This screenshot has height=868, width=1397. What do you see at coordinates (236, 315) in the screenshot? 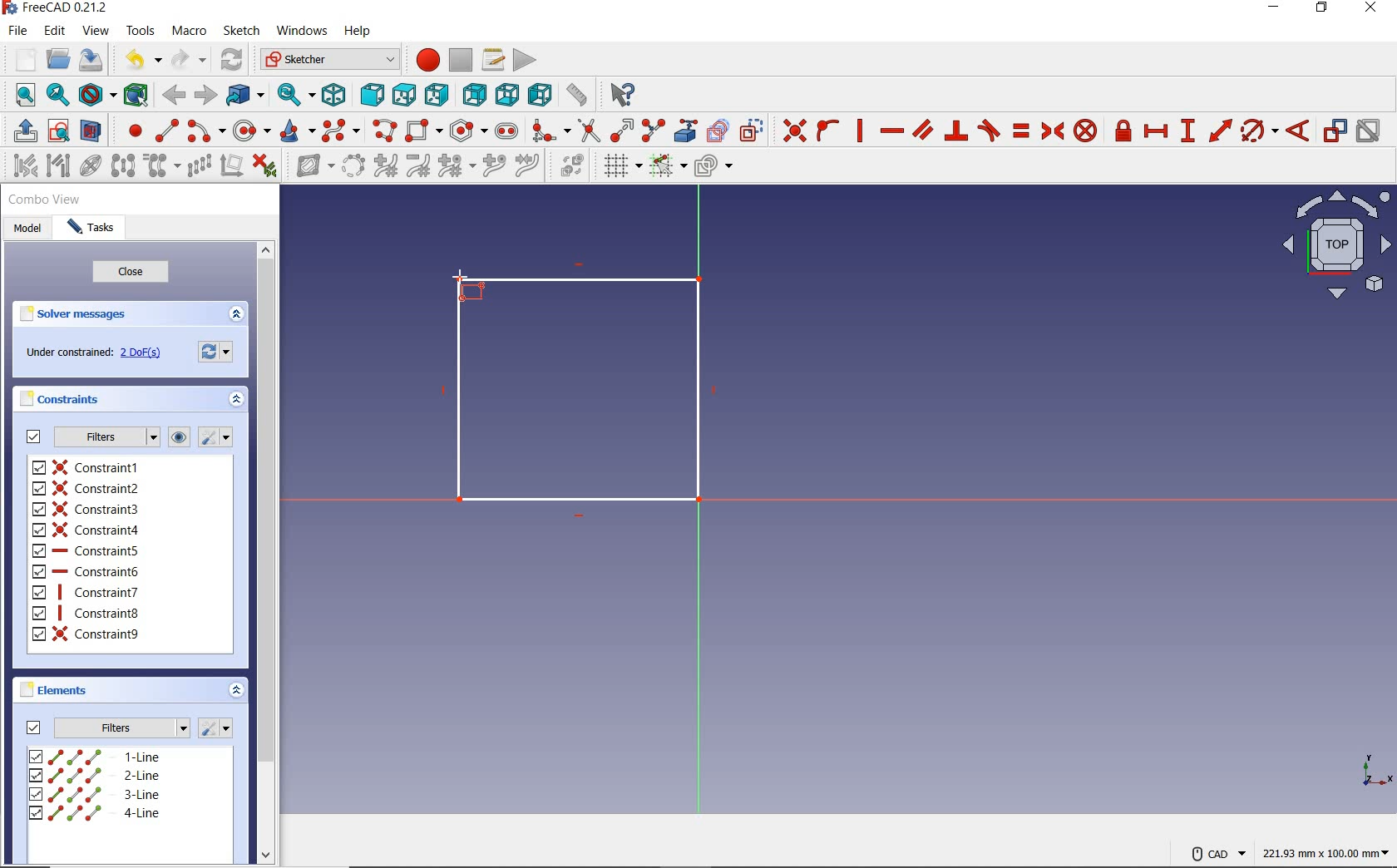
I see `expand` at bounding box center [236, 315].